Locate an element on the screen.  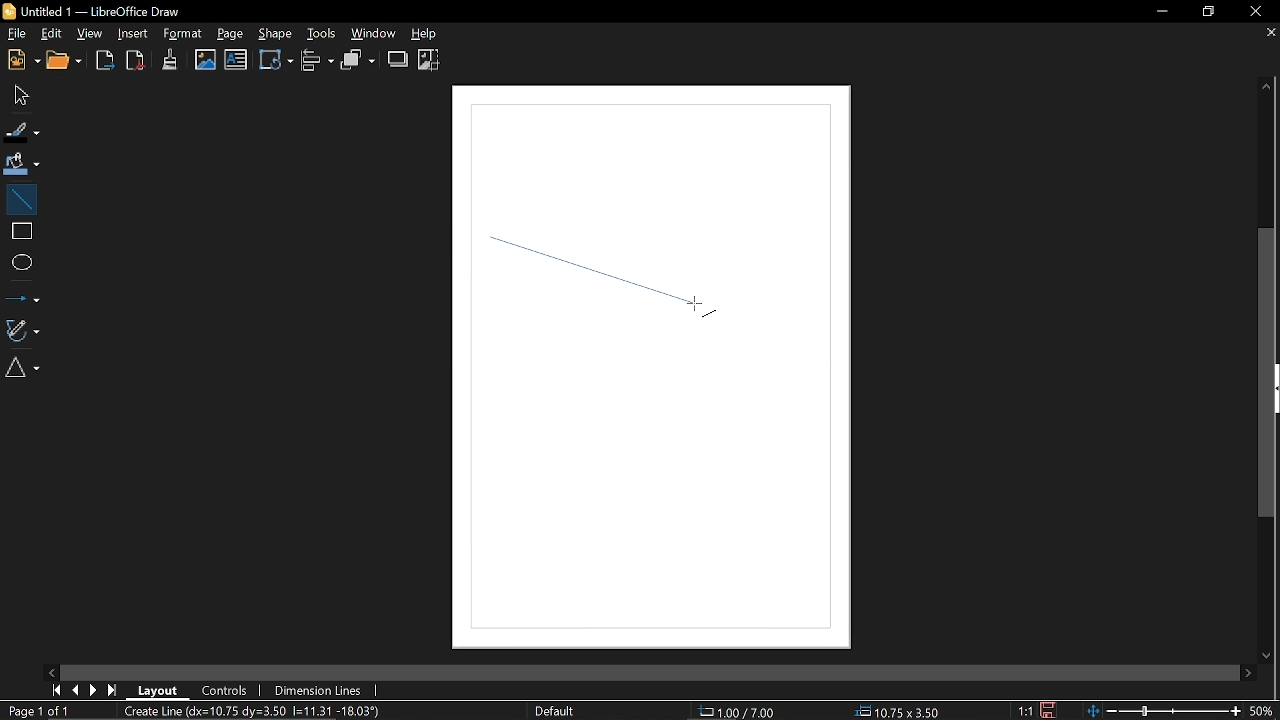
Fll line is located at coordinates (20, 131).